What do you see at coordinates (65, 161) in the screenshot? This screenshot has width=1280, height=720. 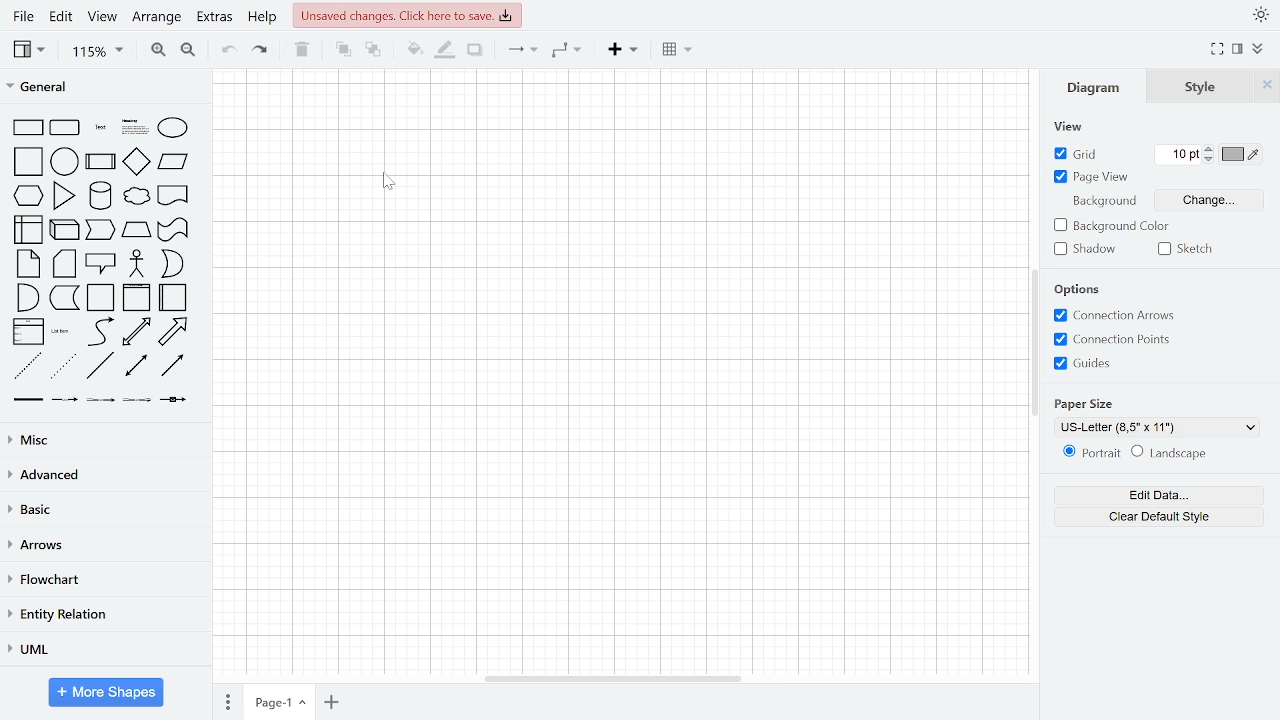 I see `circle` at bounding box center [65, 161].